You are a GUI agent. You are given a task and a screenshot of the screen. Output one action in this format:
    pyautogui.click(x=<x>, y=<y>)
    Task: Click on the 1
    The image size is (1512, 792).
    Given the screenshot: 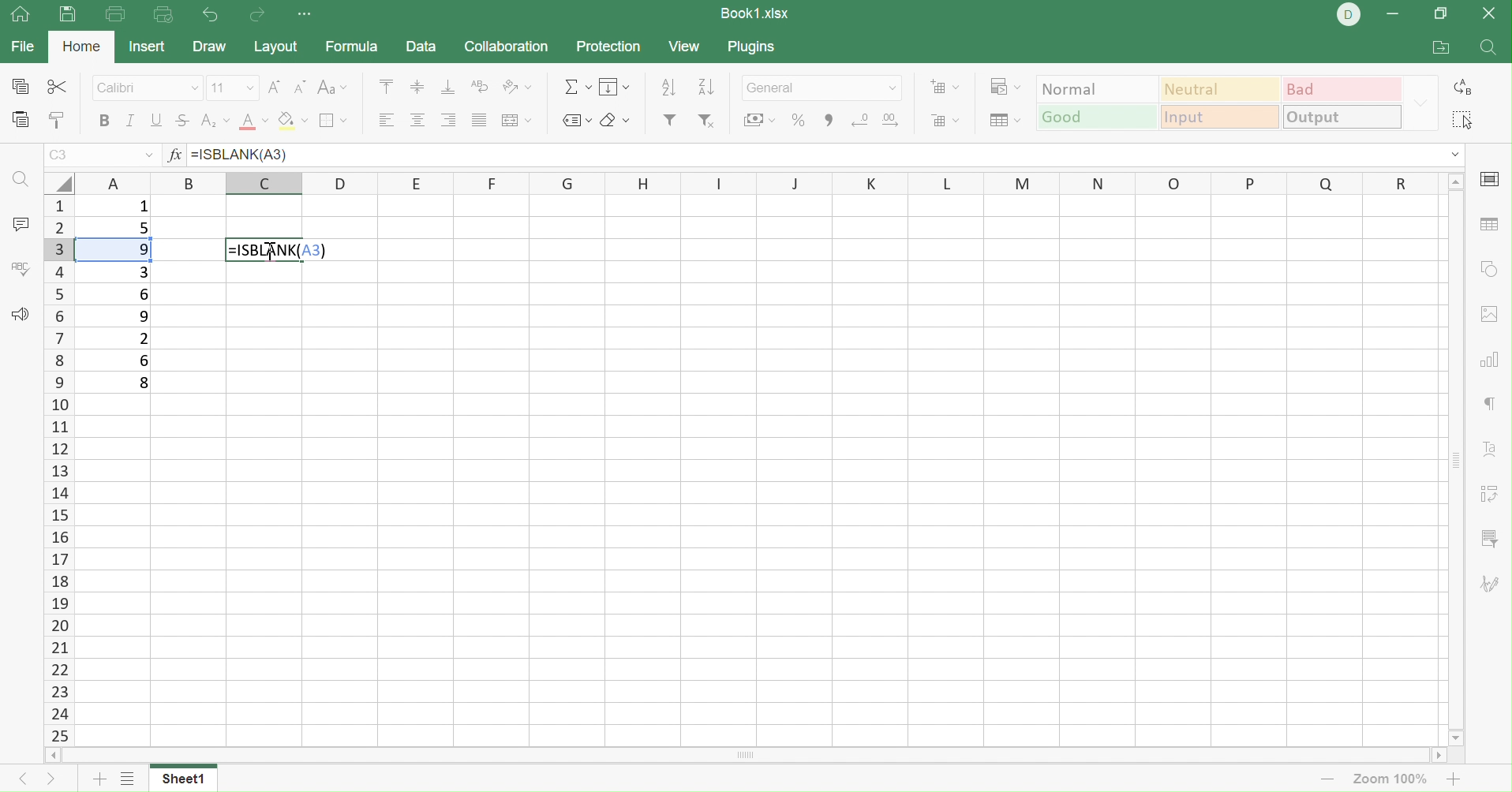 What is the action you would take?
    pyautogui.click(x=196, y=156)
    